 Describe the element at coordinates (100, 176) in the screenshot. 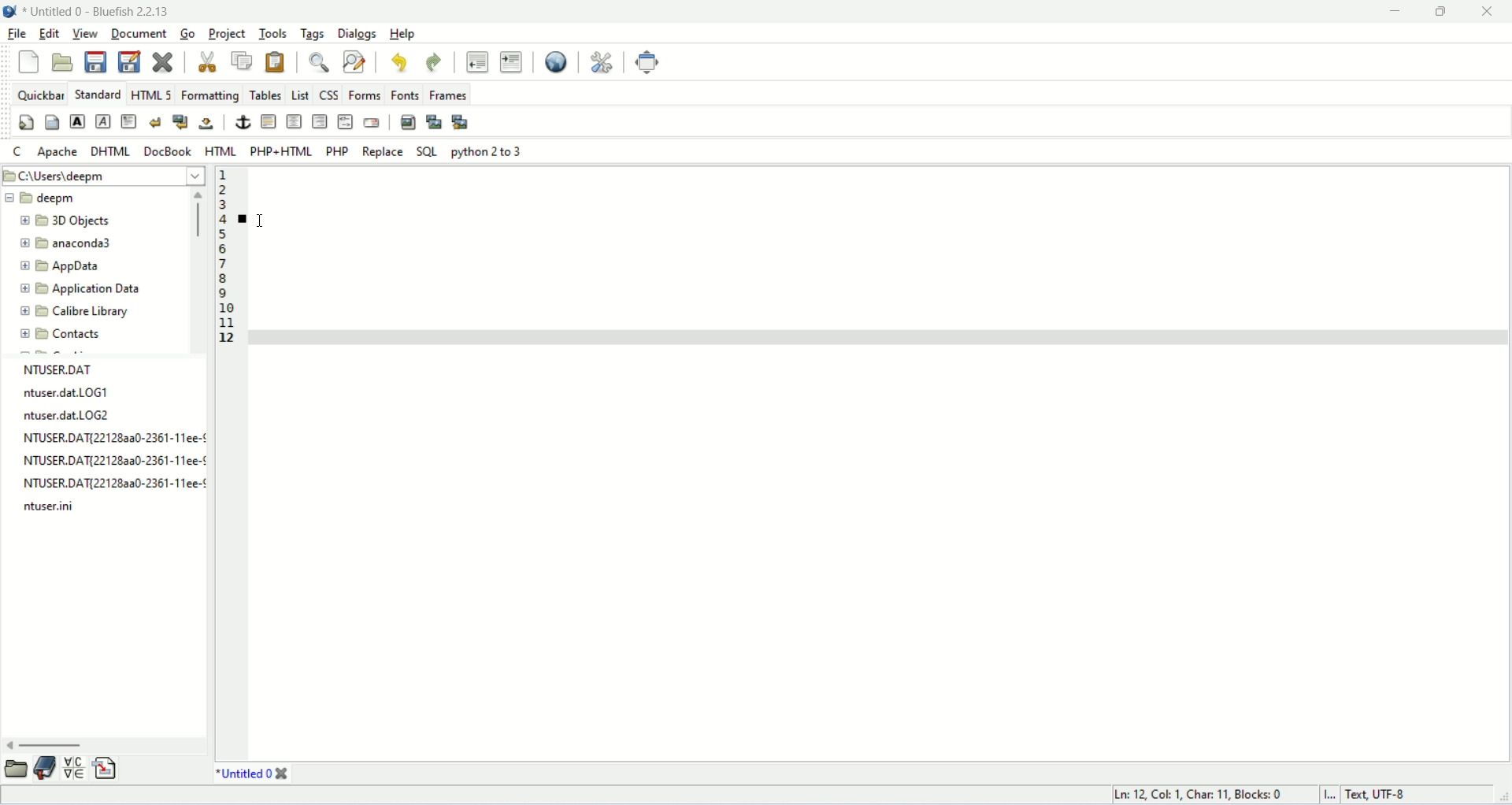

I see `location` at that location.